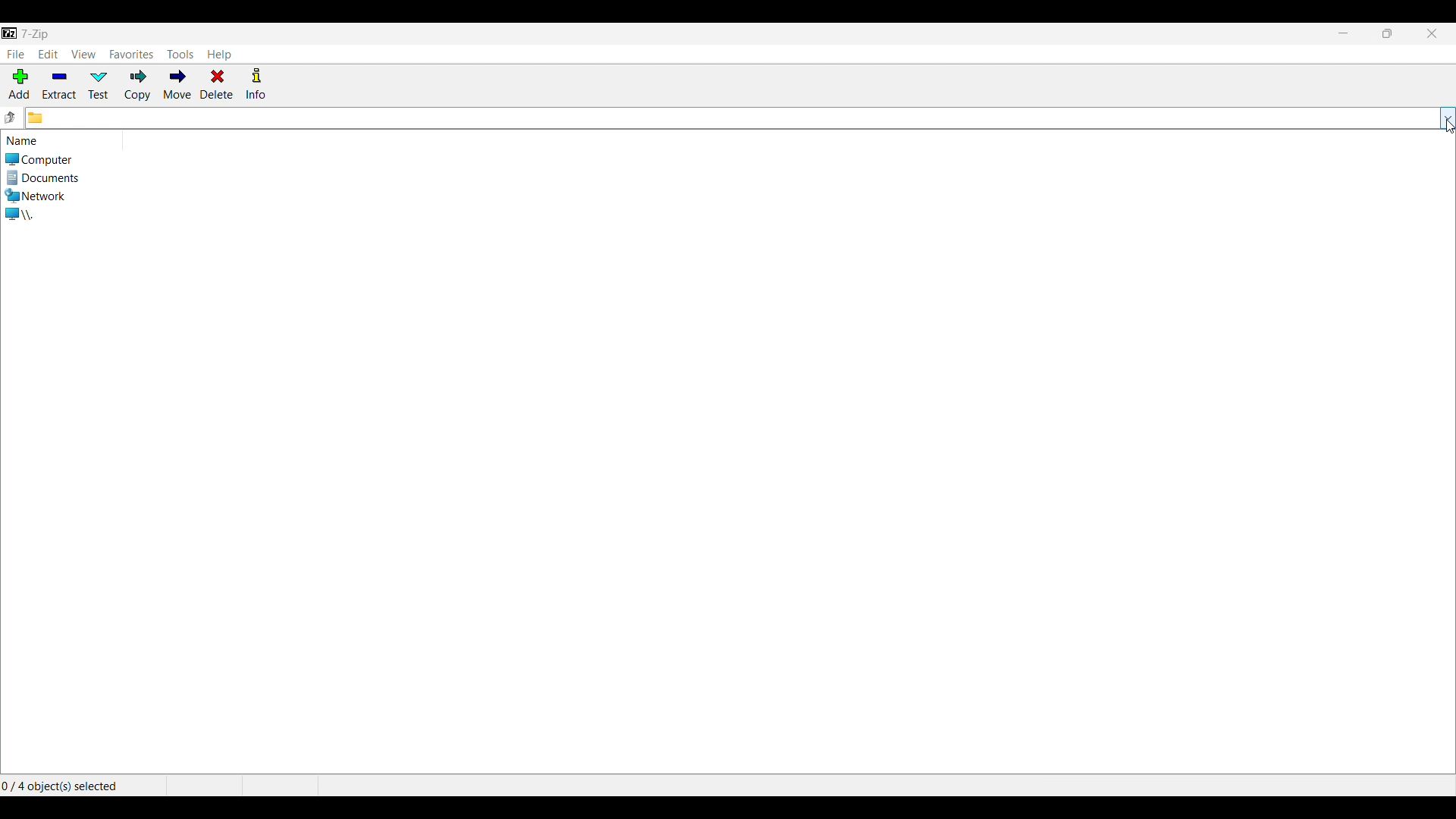 This screenshot has height=819, width=1456. Describe the element at coordinates (1447, 123) in the screenshot. I see `cursor` at that location.